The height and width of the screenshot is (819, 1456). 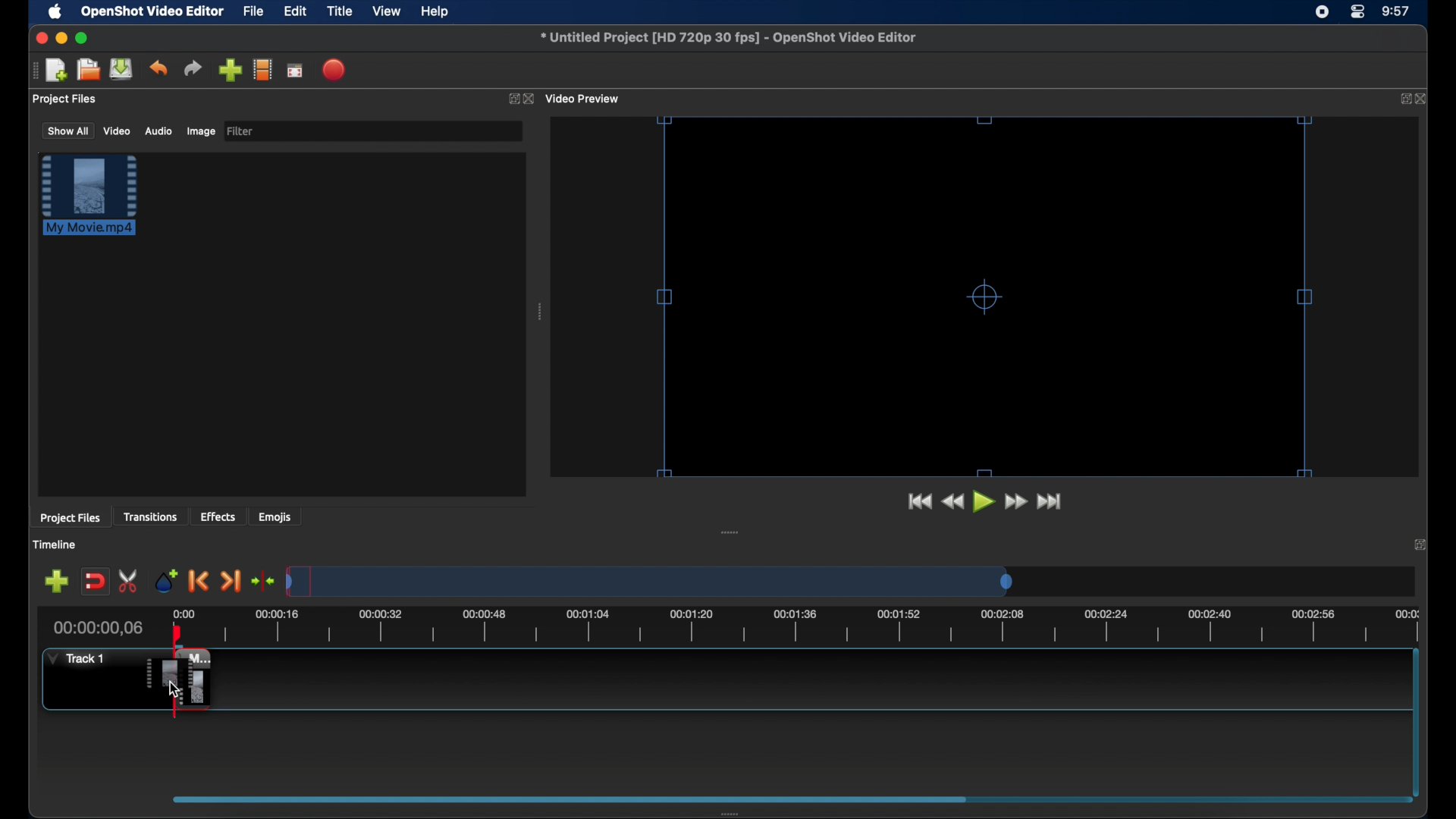 What do you see at coordinates (200, 133) in the screenshot?
I see `image` at bounding box center [200, 133].